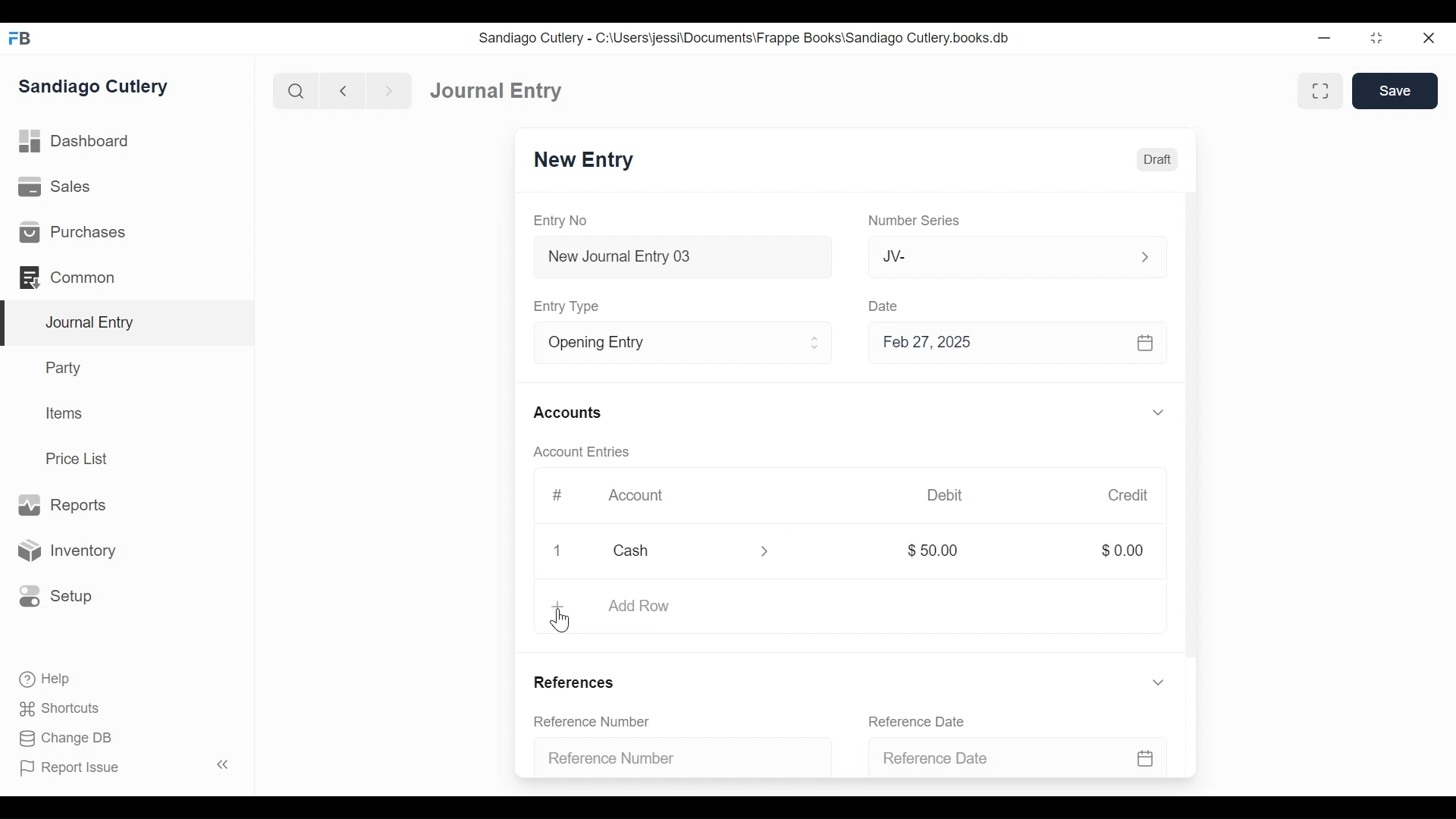 This screenshot has height=819, width=1456. Describe the element at coordinates (615, 607) in the screenshot. I see `+ Add Row` at that location.